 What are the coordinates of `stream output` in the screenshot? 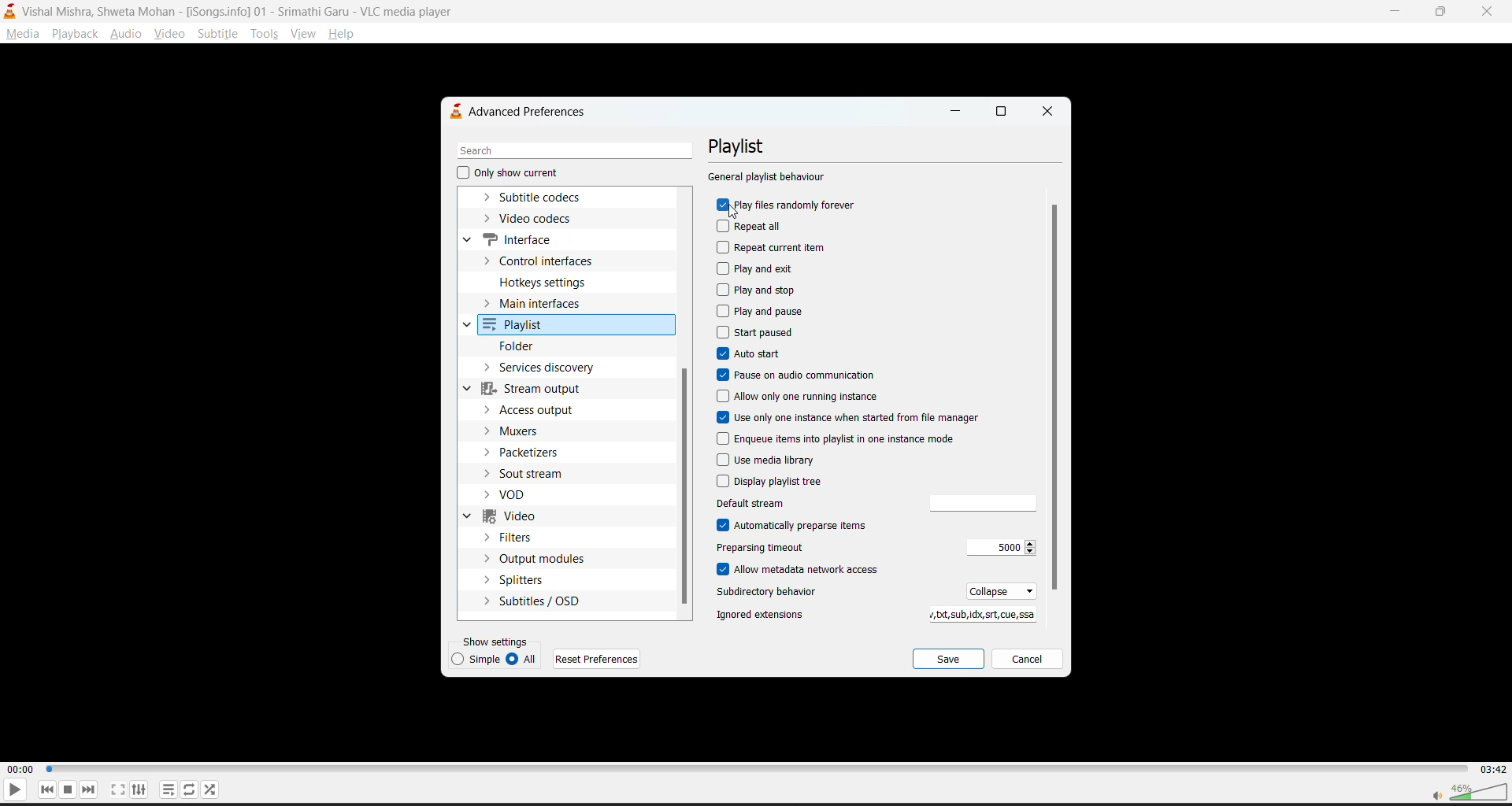 It's located at (533, 390).